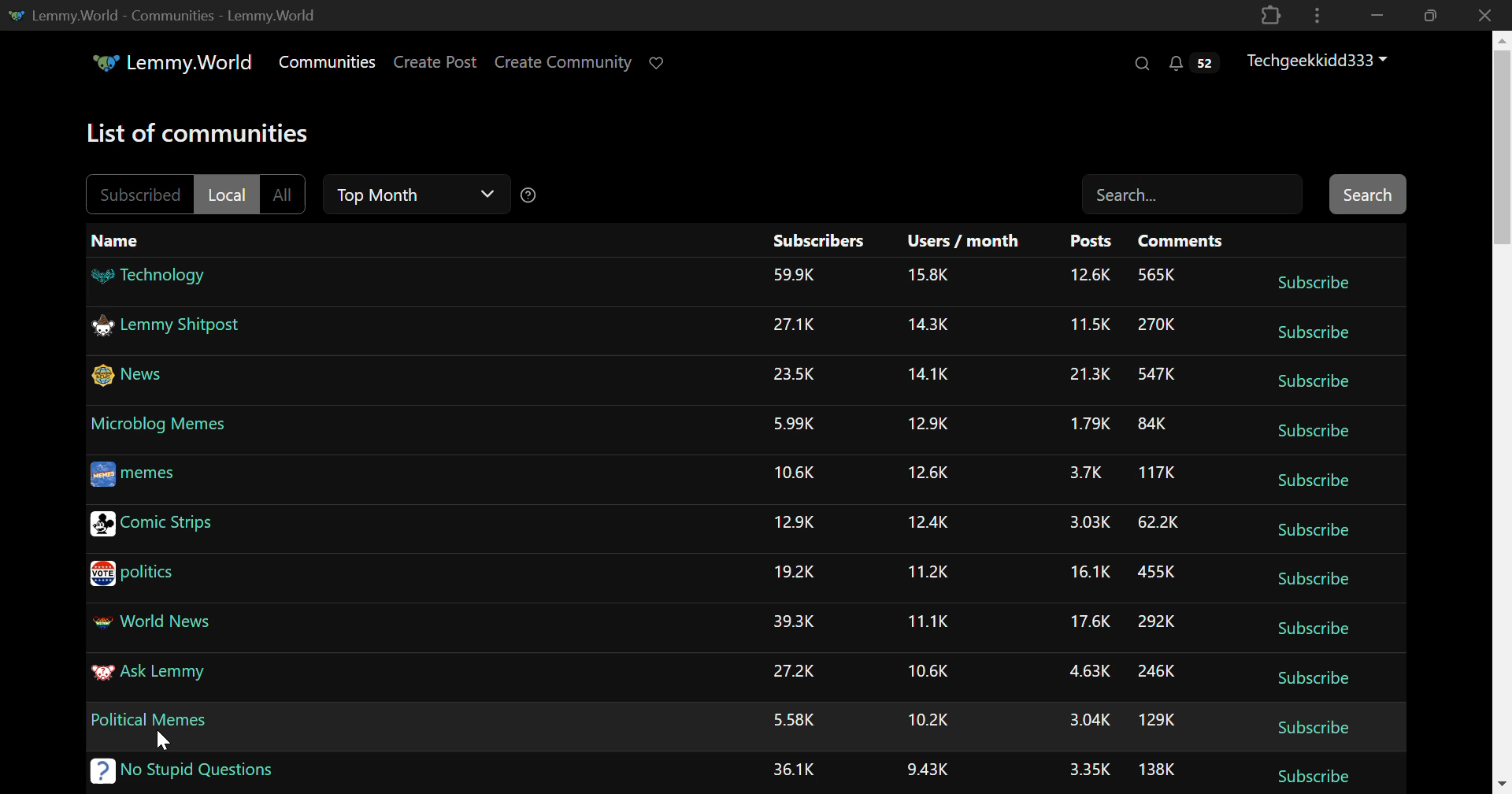 The width and height of the screenshot is (1512, 794). I want to click on Amount, so click(797, 521).